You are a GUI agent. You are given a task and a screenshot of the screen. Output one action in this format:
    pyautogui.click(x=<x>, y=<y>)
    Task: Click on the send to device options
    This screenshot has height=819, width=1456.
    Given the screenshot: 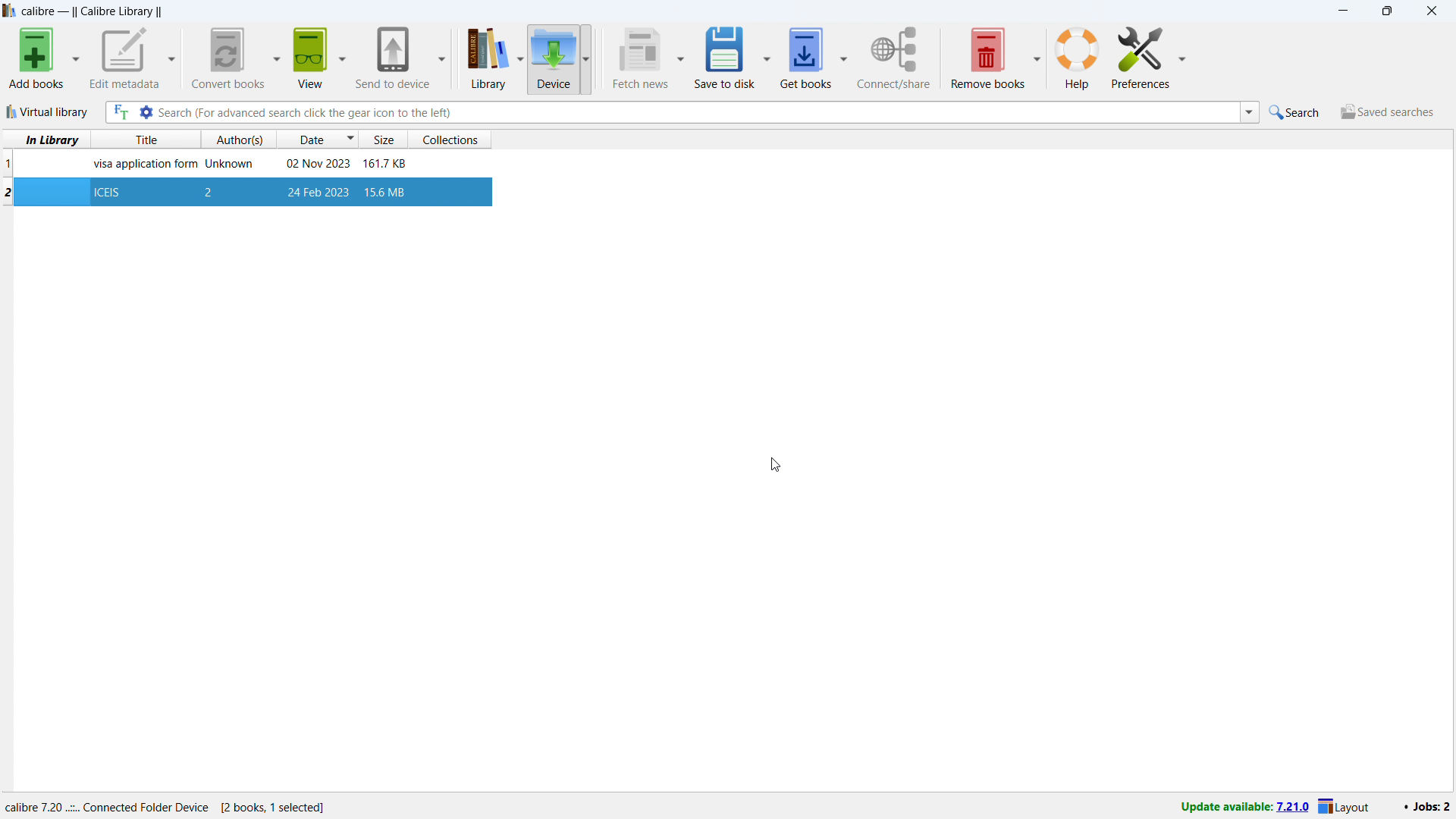 What is the action you would take?
    pyautogui.click(x=441, y=58)
    